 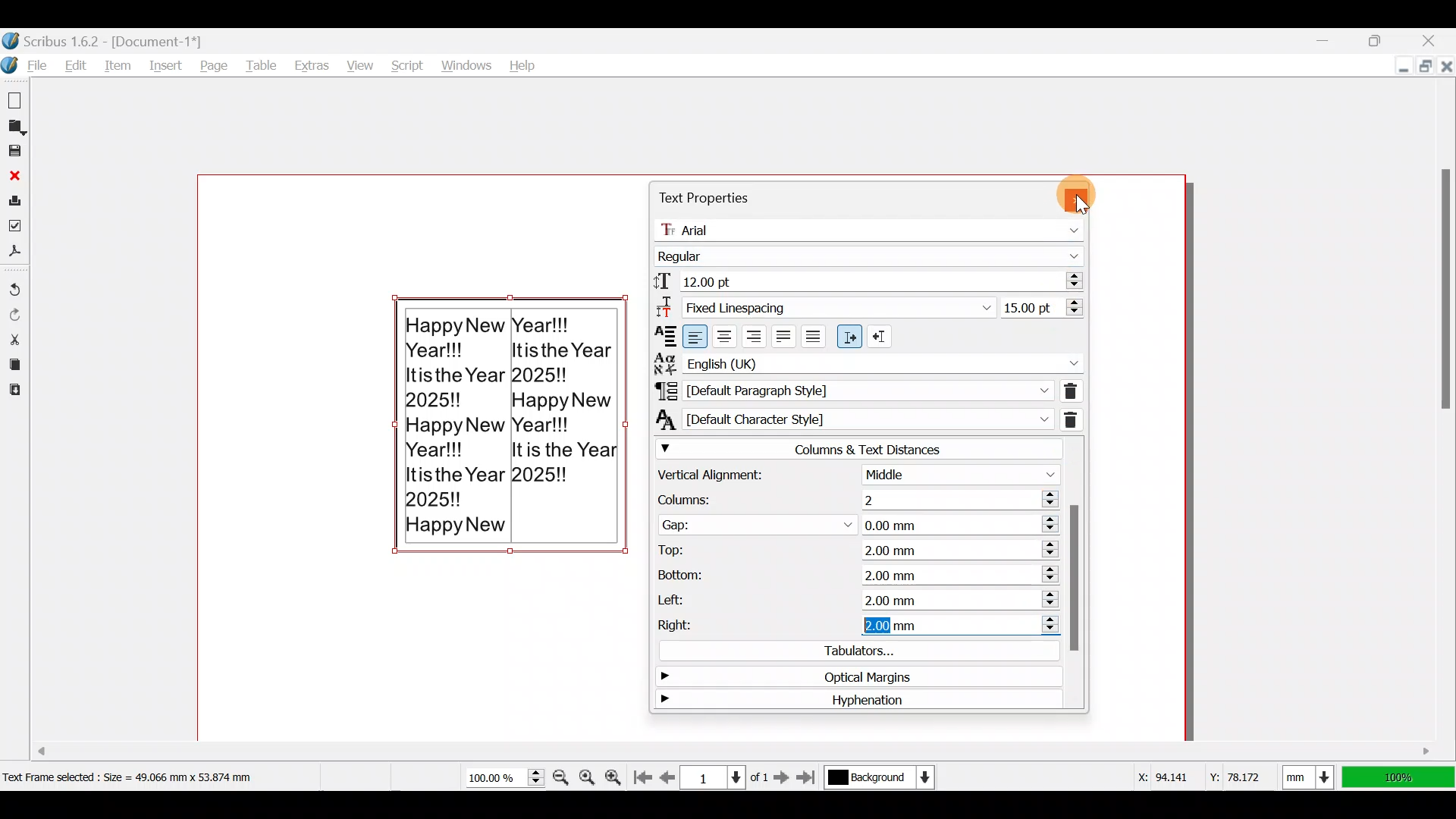 What do you see at coordinates (215, 65) in the screenshot?
I see `Page` at bounding box center [215, 65].